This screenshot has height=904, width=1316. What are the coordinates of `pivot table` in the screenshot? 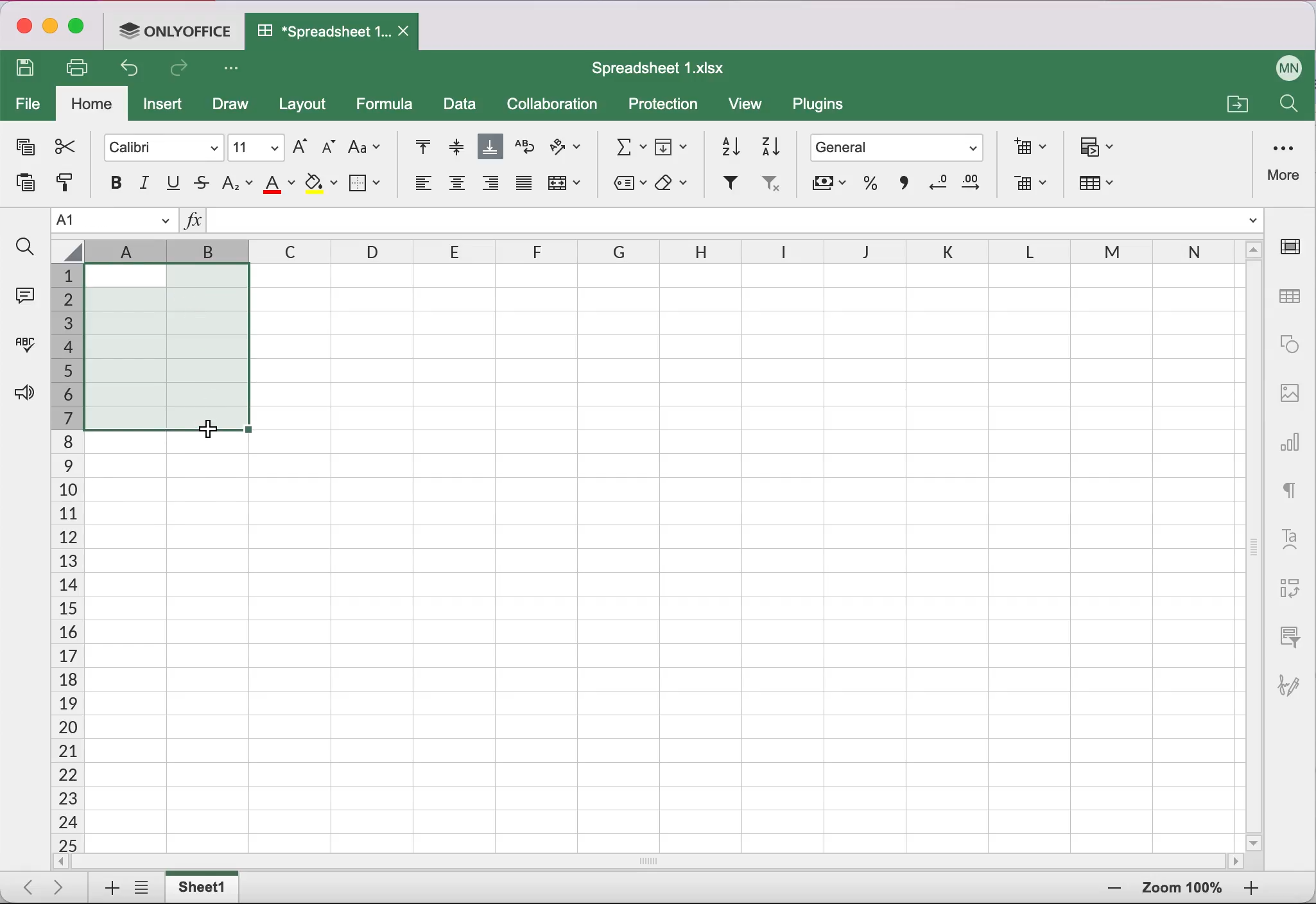 It's located at (1287, 589).